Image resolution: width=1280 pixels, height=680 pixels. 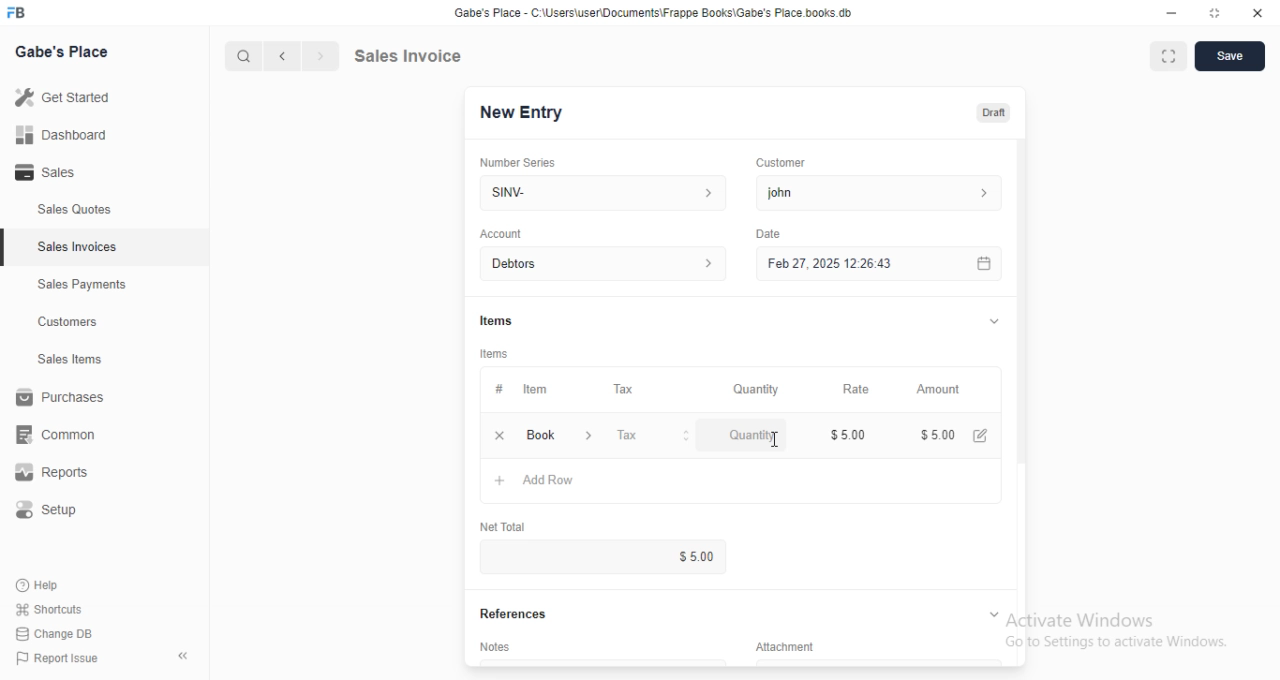 What do you see at coordinates (826, 266) in the screenshot?
I see `Feb27, 2025 1226:43 ` at bounding box center [826, 266].